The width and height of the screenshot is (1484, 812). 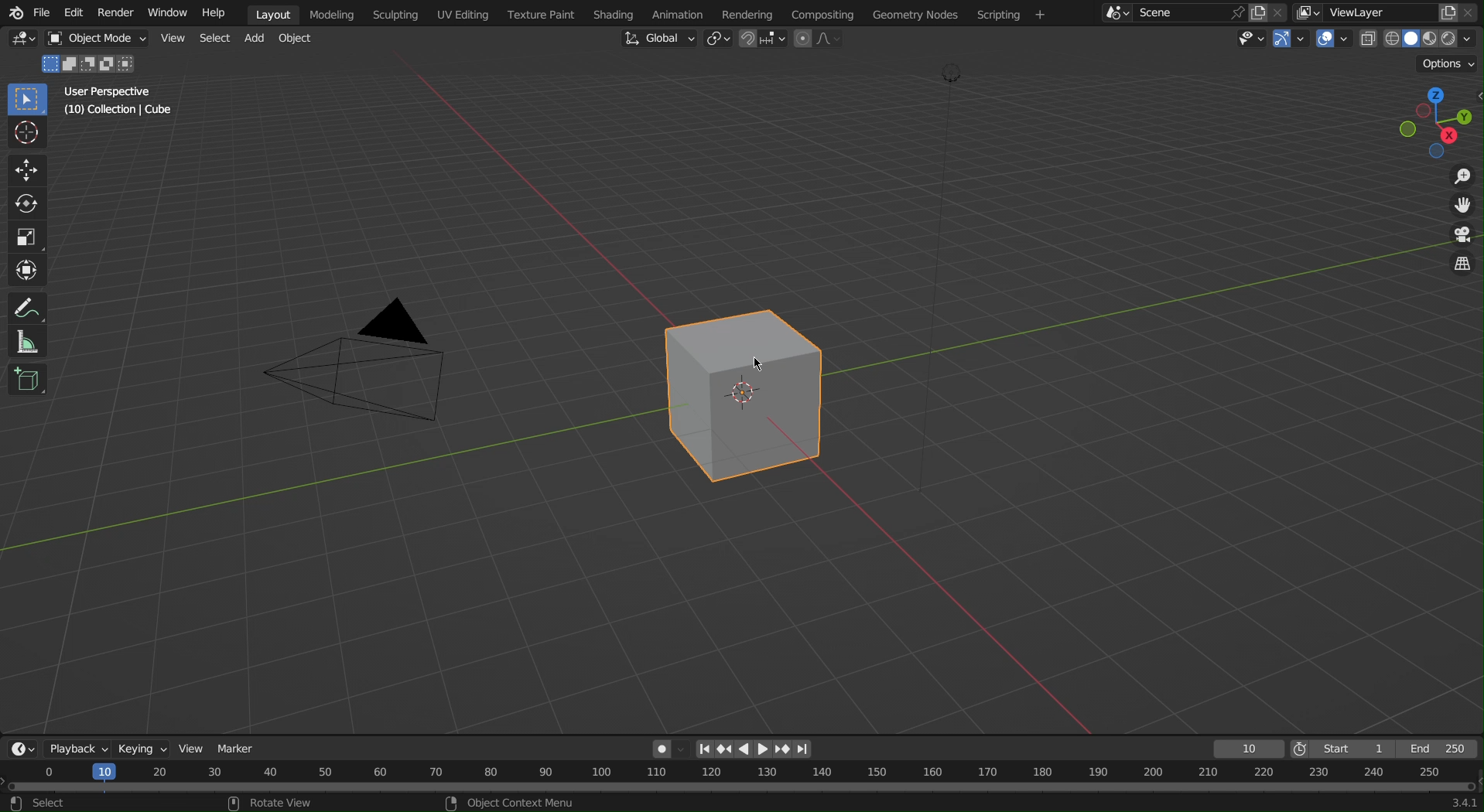 What do you see at coordinates (365, 370) in the screenshot?
I see `Camera` at bounding box center [365, 370].